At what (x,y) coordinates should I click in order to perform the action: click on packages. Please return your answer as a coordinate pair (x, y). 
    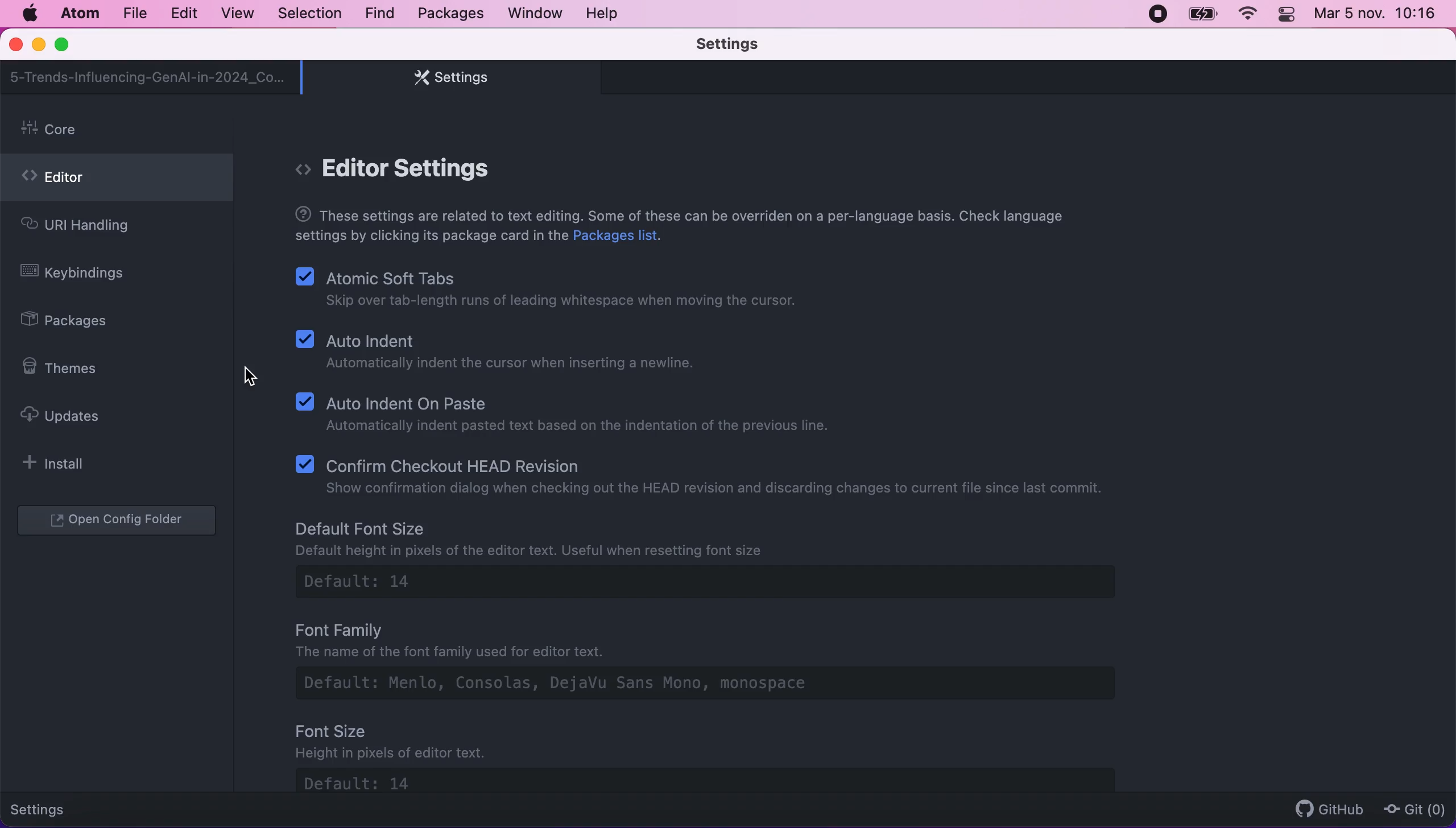
    Looking at the image, I should click on (449, 14).